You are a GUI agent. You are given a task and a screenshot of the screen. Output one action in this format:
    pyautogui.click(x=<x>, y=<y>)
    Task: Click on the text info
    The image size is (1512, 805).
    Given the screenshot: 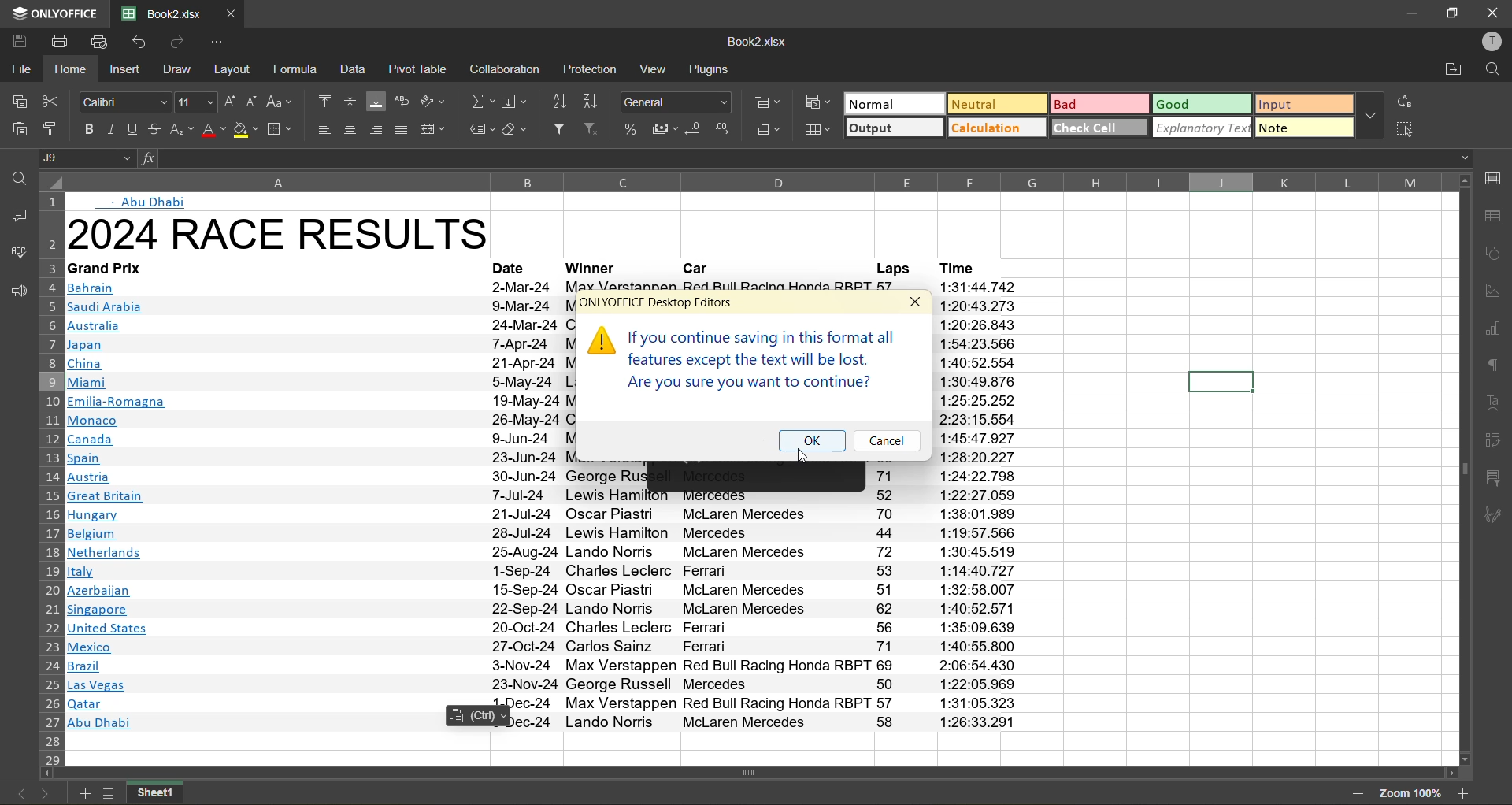 What is the action you would take?
    pyautogui.click(x=547, y=610)
    